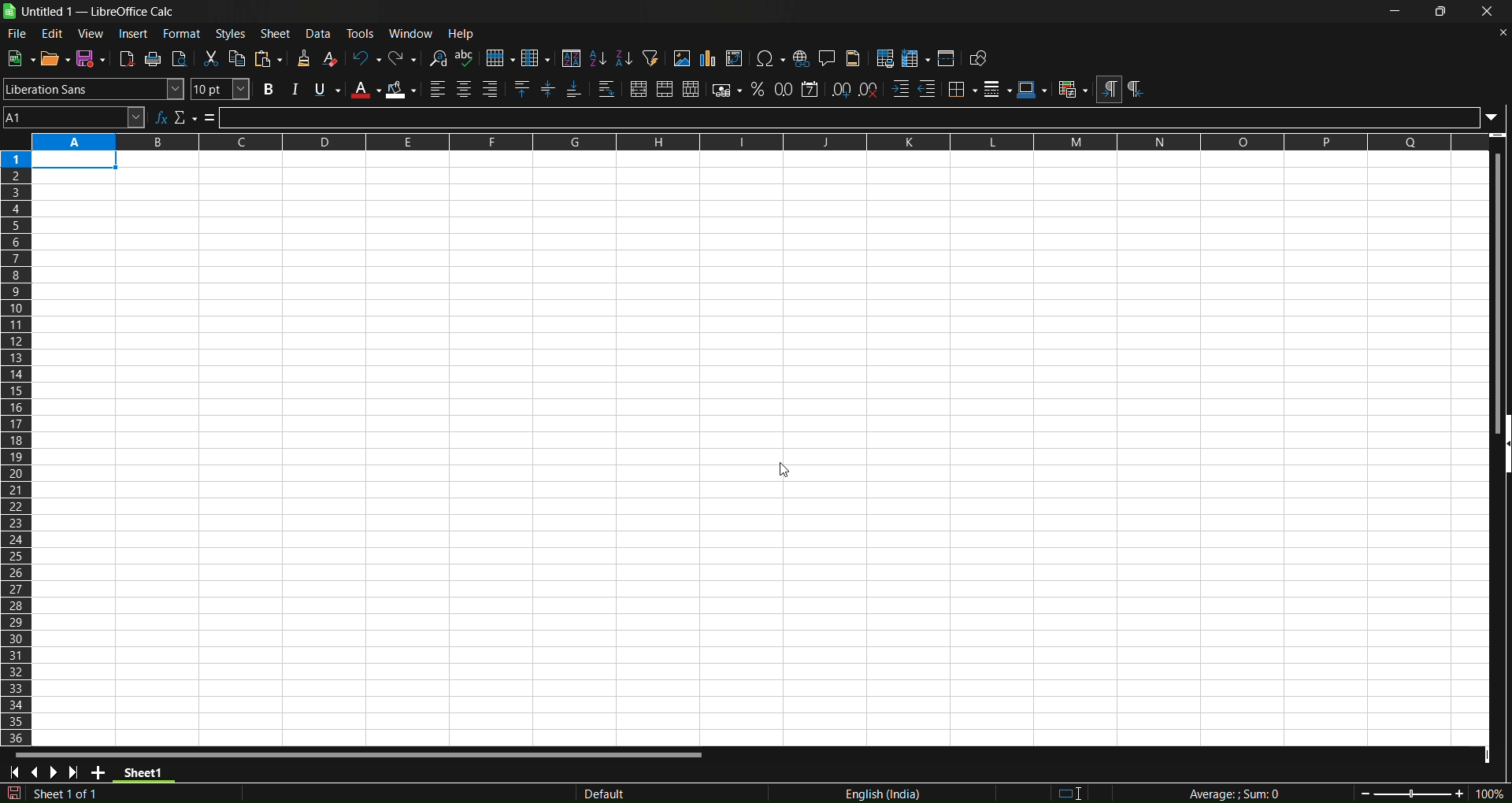 The width and height of the screenshot is (1512, 803). What do you see at coordinates (802, 58) in the screenshot?
I see `insert hyperlink` at bounding box center [802, 58].